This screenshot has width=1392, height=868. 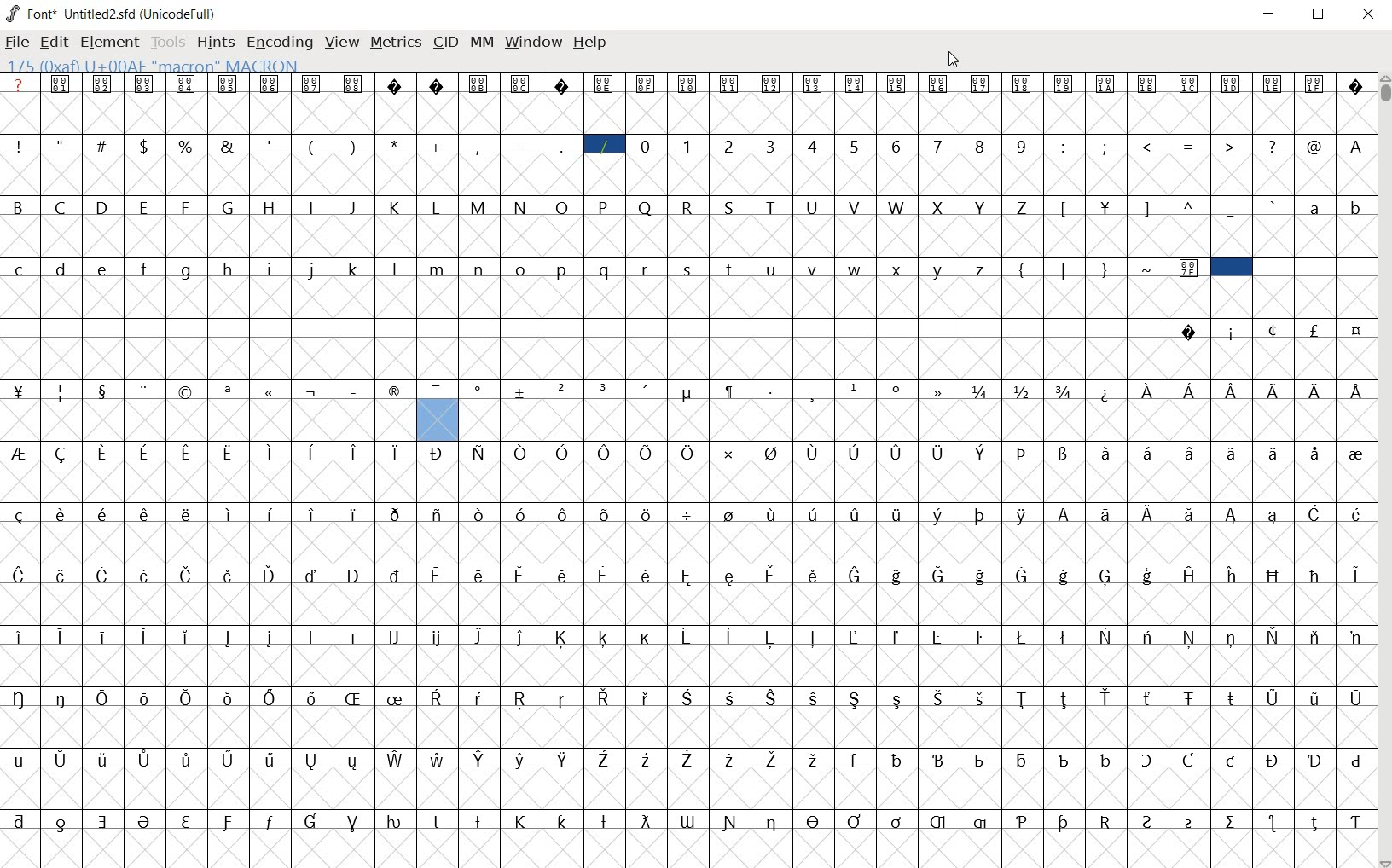 What do you see at coordinates (774, 514) in the screenshot?
I see `Symbol` at bounding box center [774, 514].